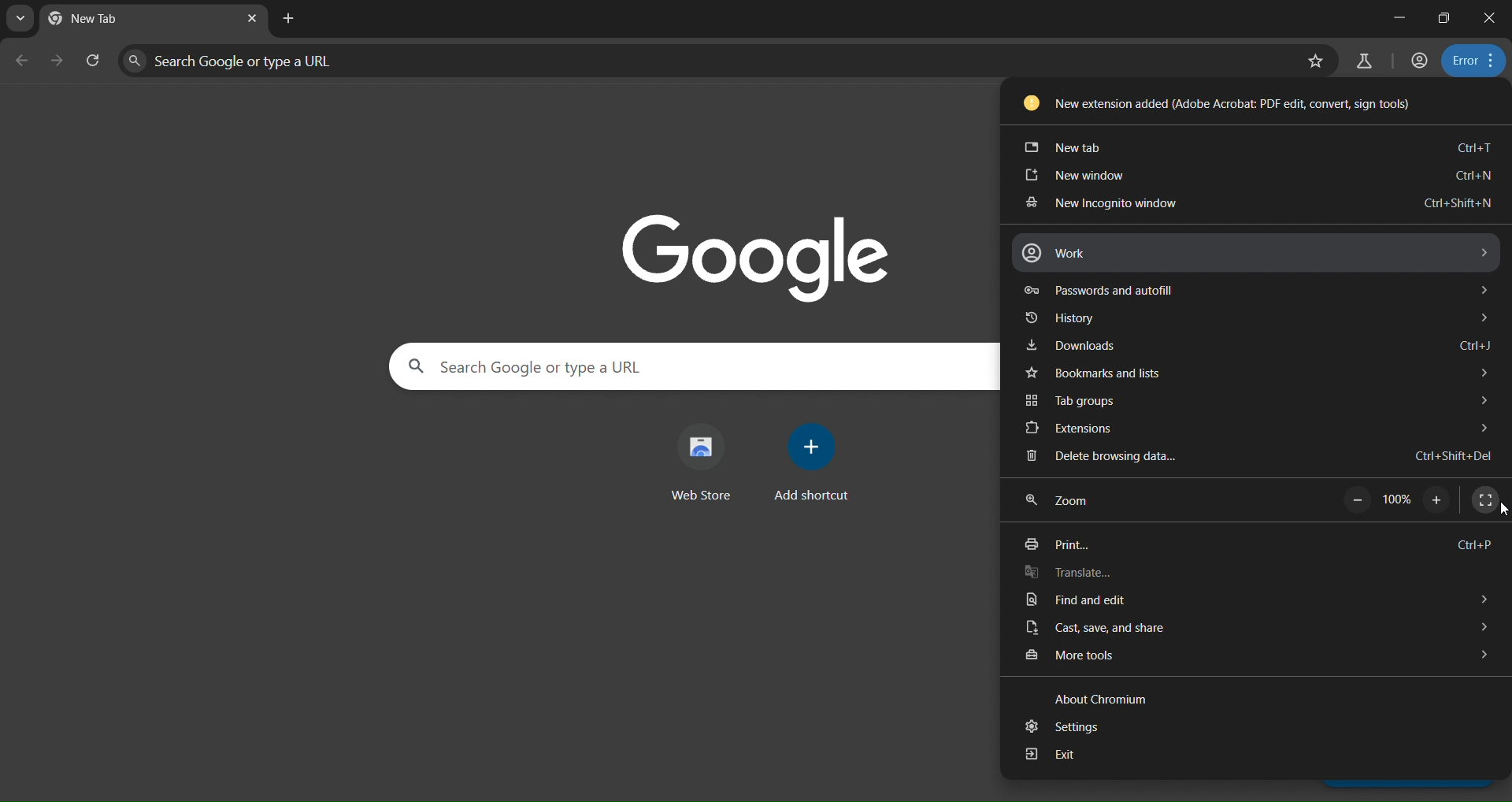 The height and width of the screenshot is (802, 1512). I want to click on add shortcut, so click(812, 459).